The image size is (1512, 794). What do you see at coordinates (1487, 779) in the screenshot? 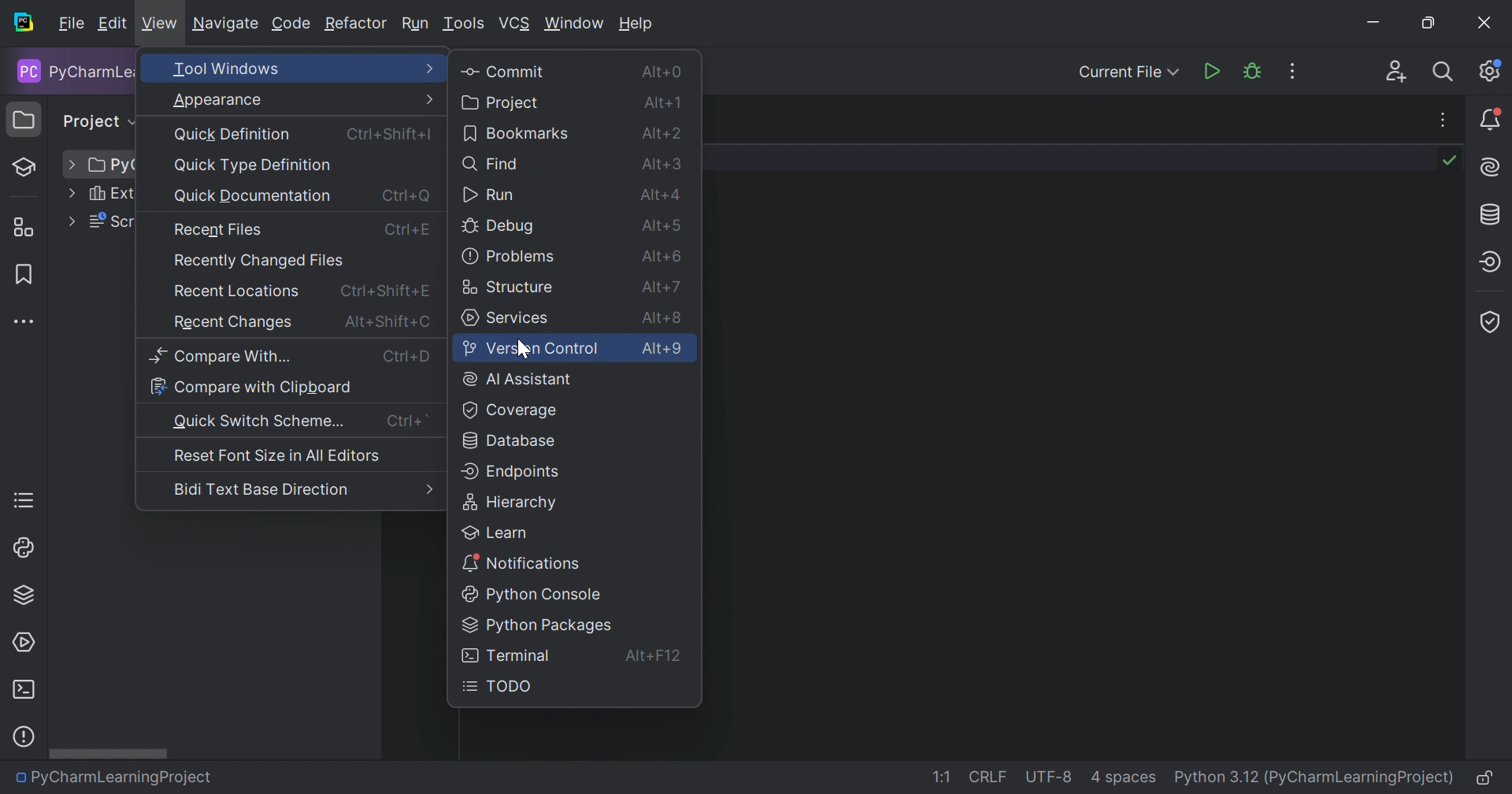
I see `Make file read-only` at bounding box center [1487, 779].